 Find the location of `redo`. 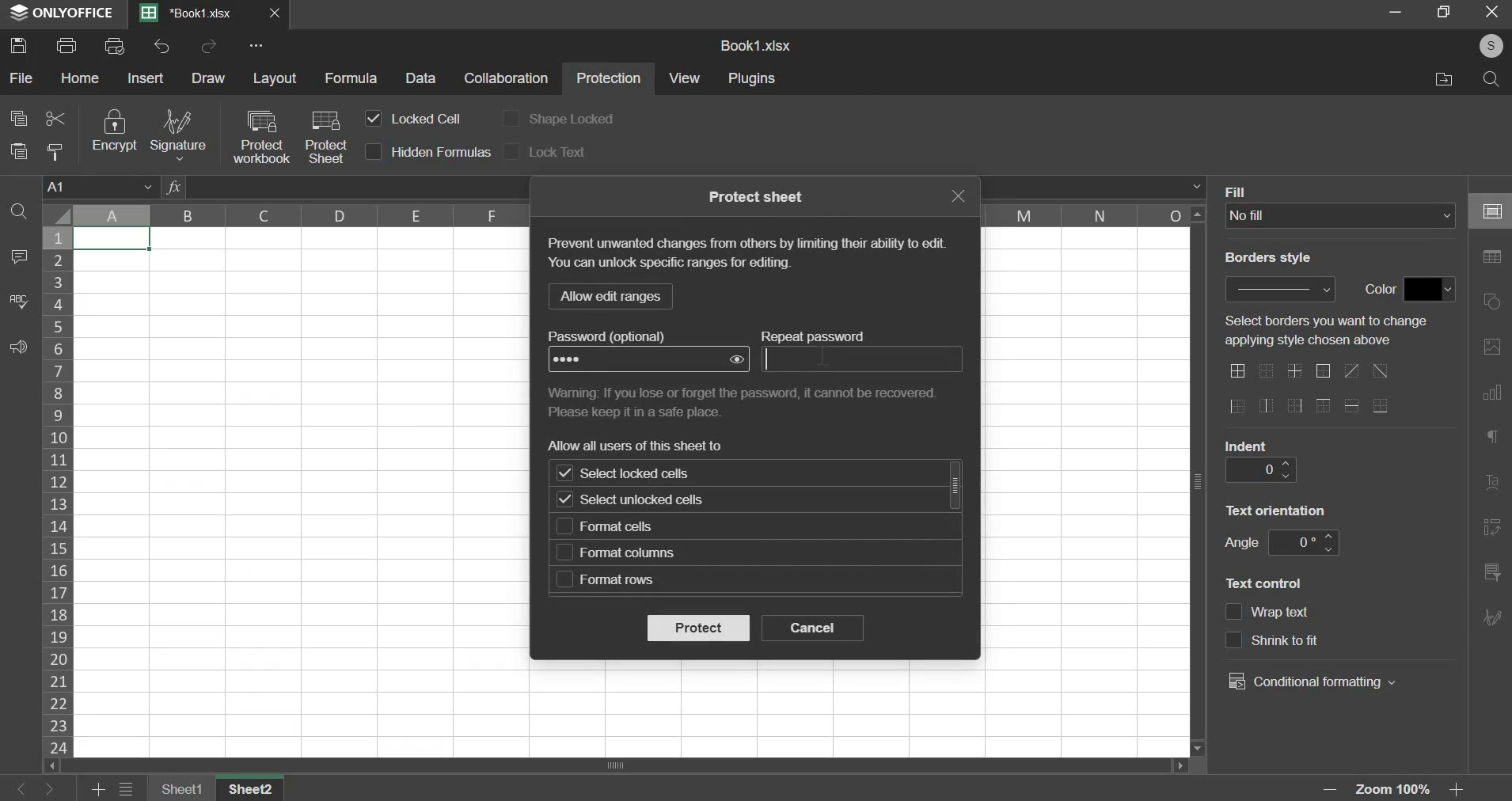

redo is located at coordinates (209, 47).